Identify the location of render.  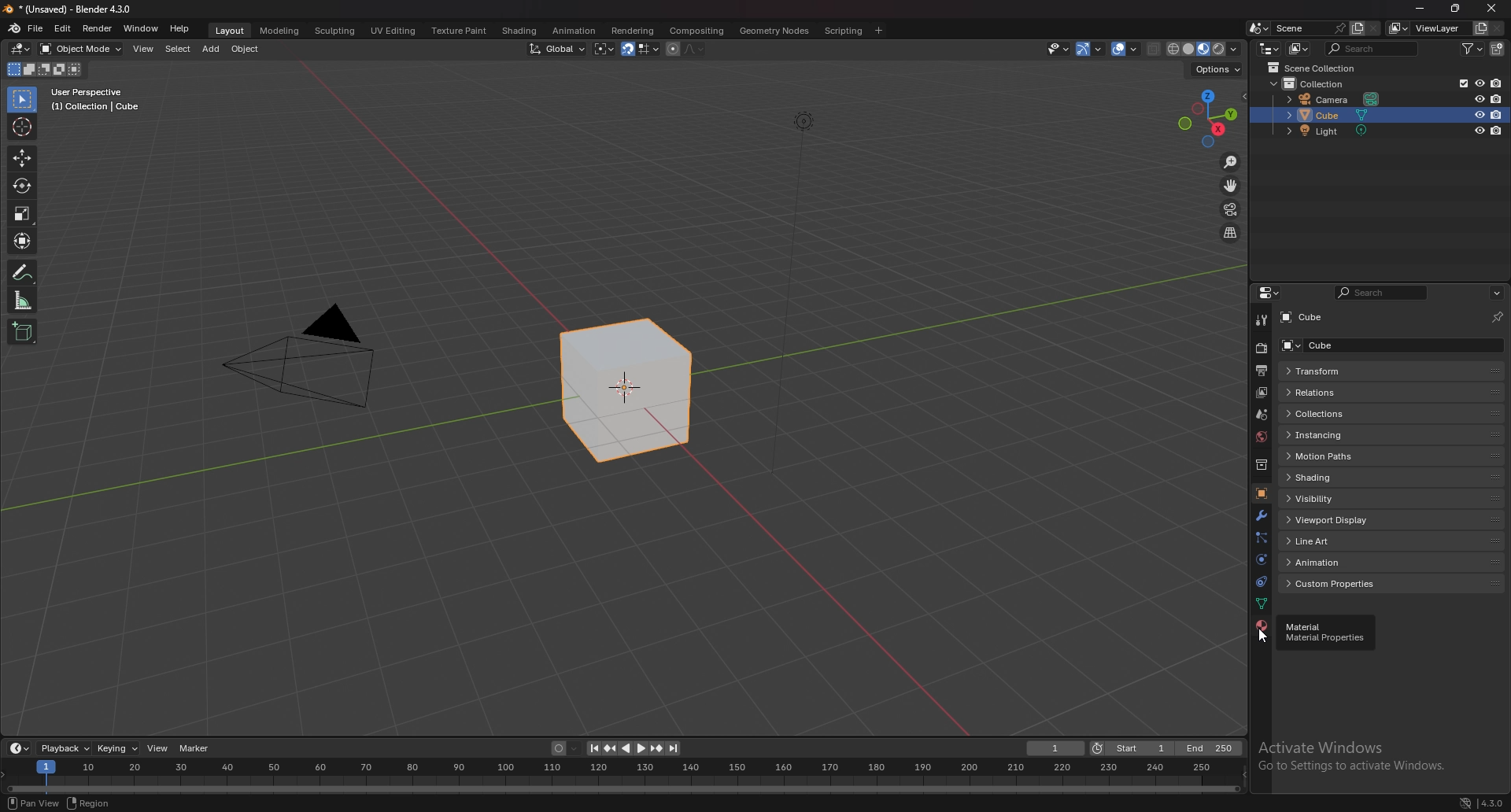
(98, 28).